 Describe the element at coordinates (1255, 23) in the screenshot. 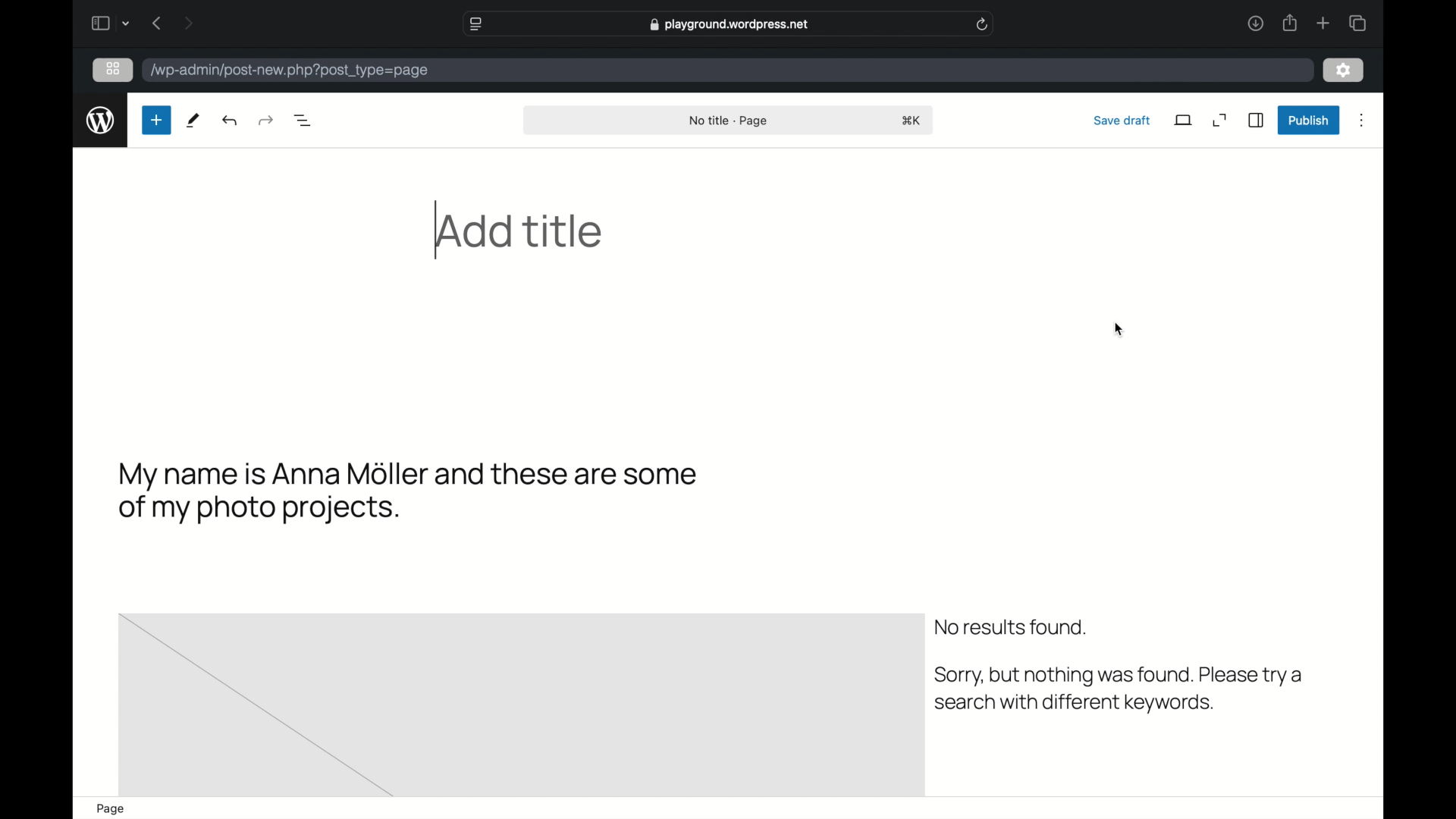

I see `downloads` at that location.